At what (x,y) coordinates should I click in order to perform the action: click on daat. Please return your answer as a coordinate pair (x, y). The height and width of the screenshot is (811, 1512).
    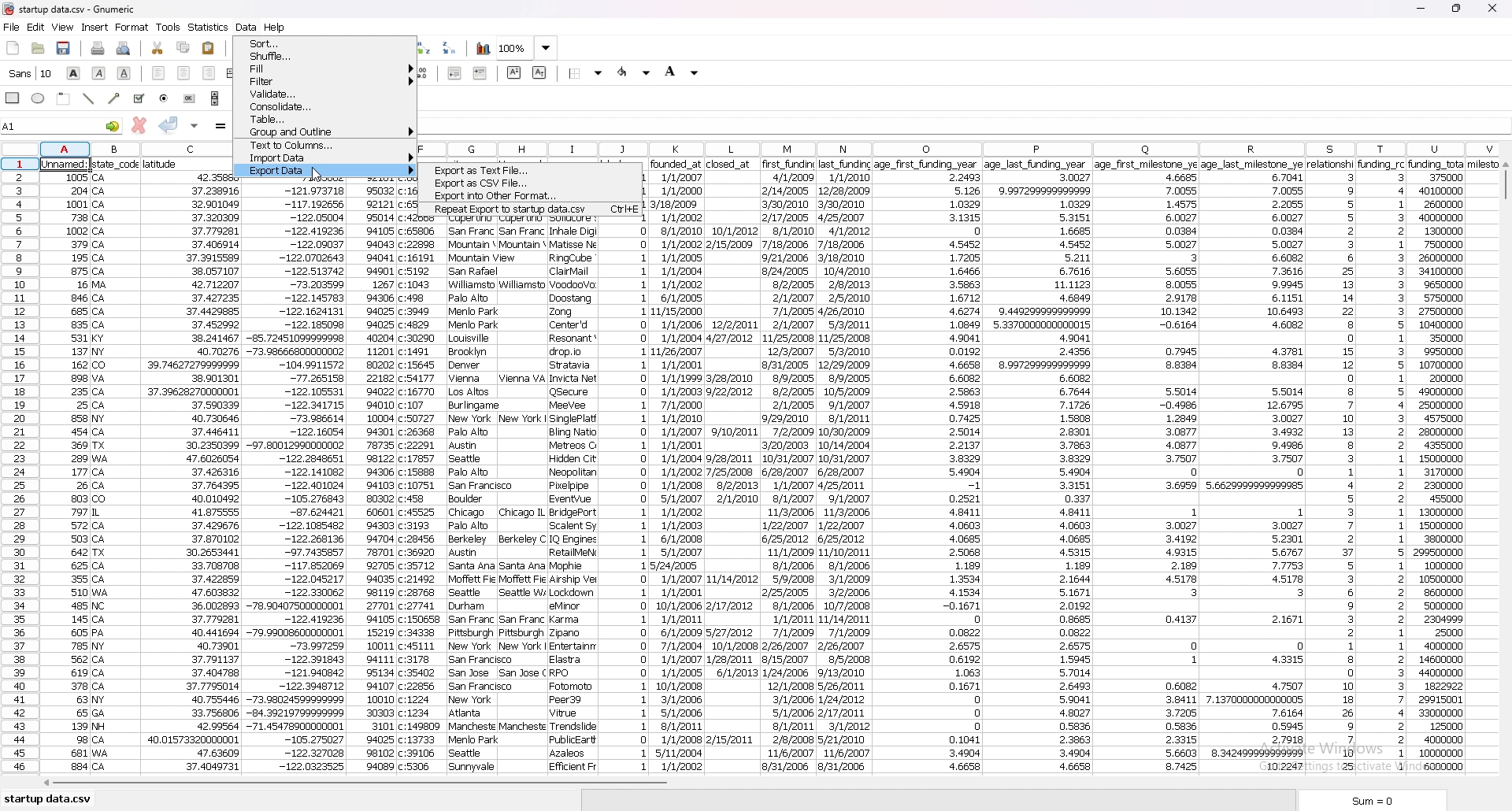
    Looking at the image, I should click on (422, 495).